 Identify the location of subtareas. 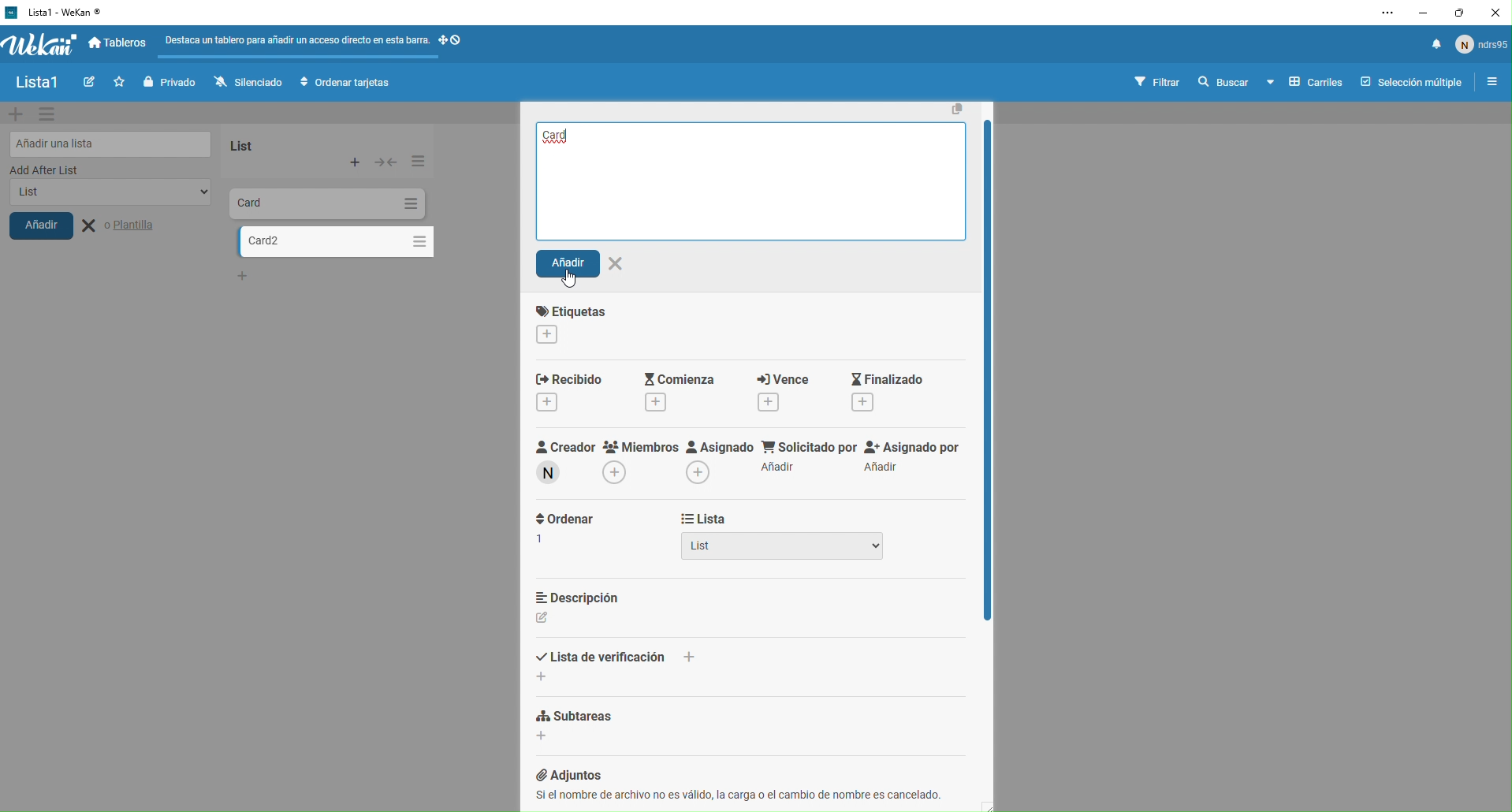
(641, 717).